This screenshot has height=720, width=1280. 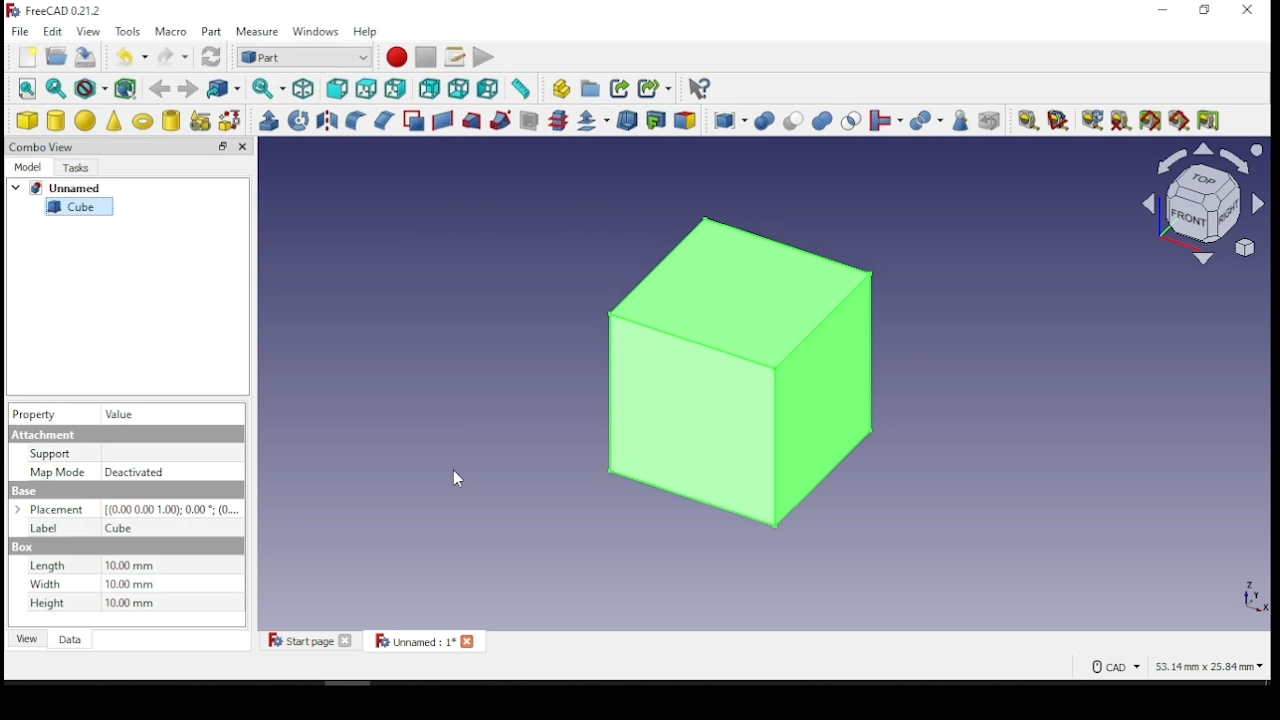 What do you see at coordinates (594, 120) in the screenshot?
I see `offset` at bounding box center [594, 120].